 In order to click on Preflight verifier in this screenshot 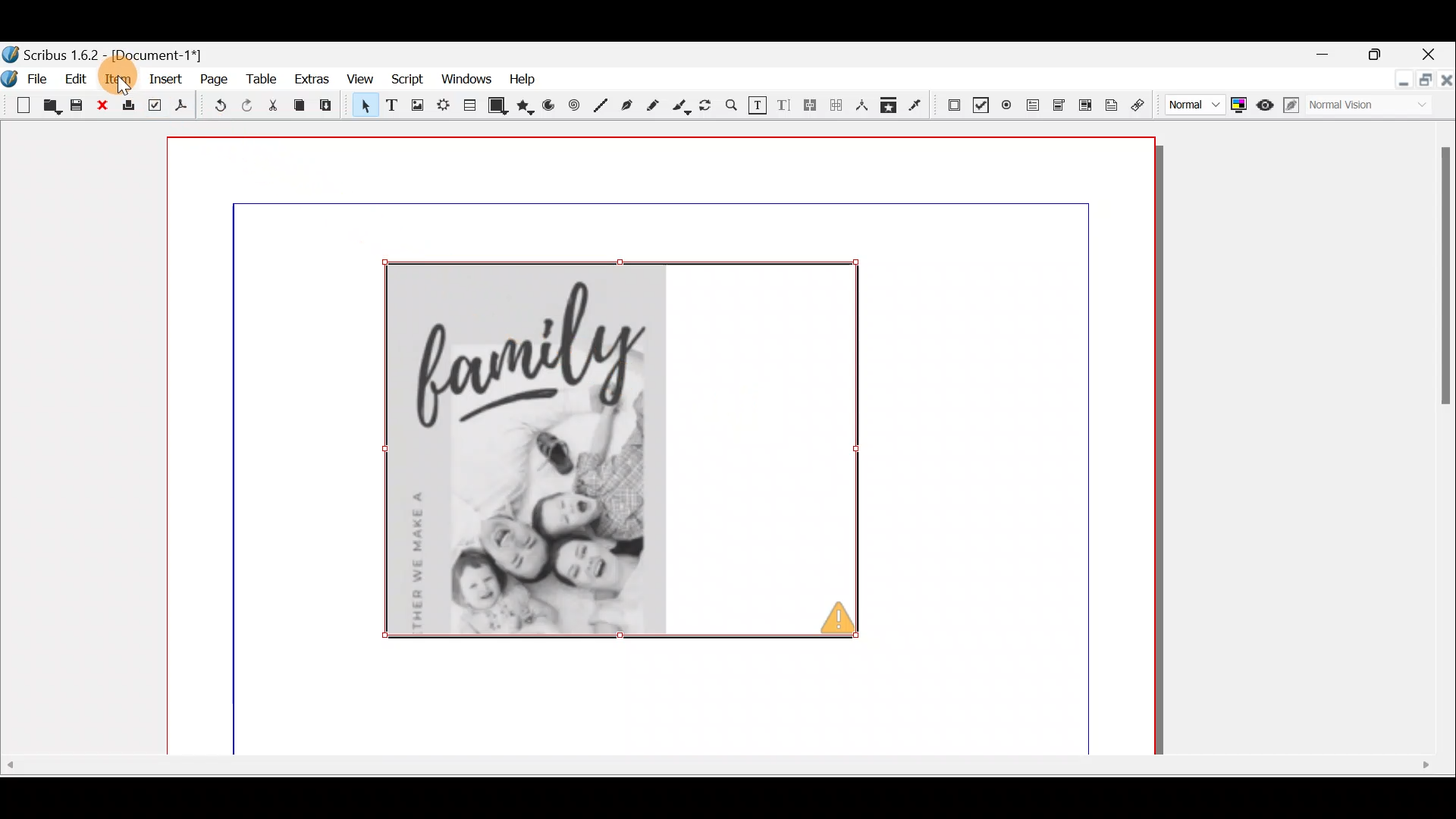, I will do `click(154, 105)`.